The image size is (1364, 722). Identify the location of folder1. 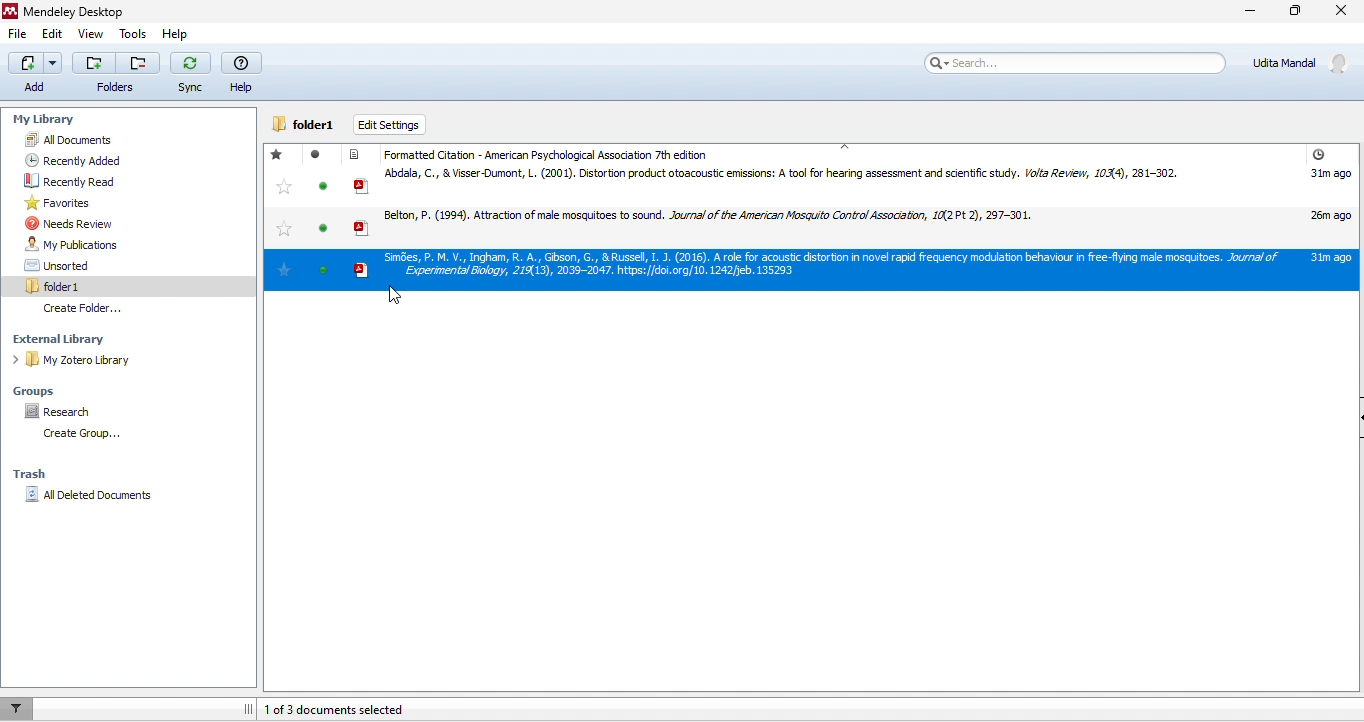
(306, 124).